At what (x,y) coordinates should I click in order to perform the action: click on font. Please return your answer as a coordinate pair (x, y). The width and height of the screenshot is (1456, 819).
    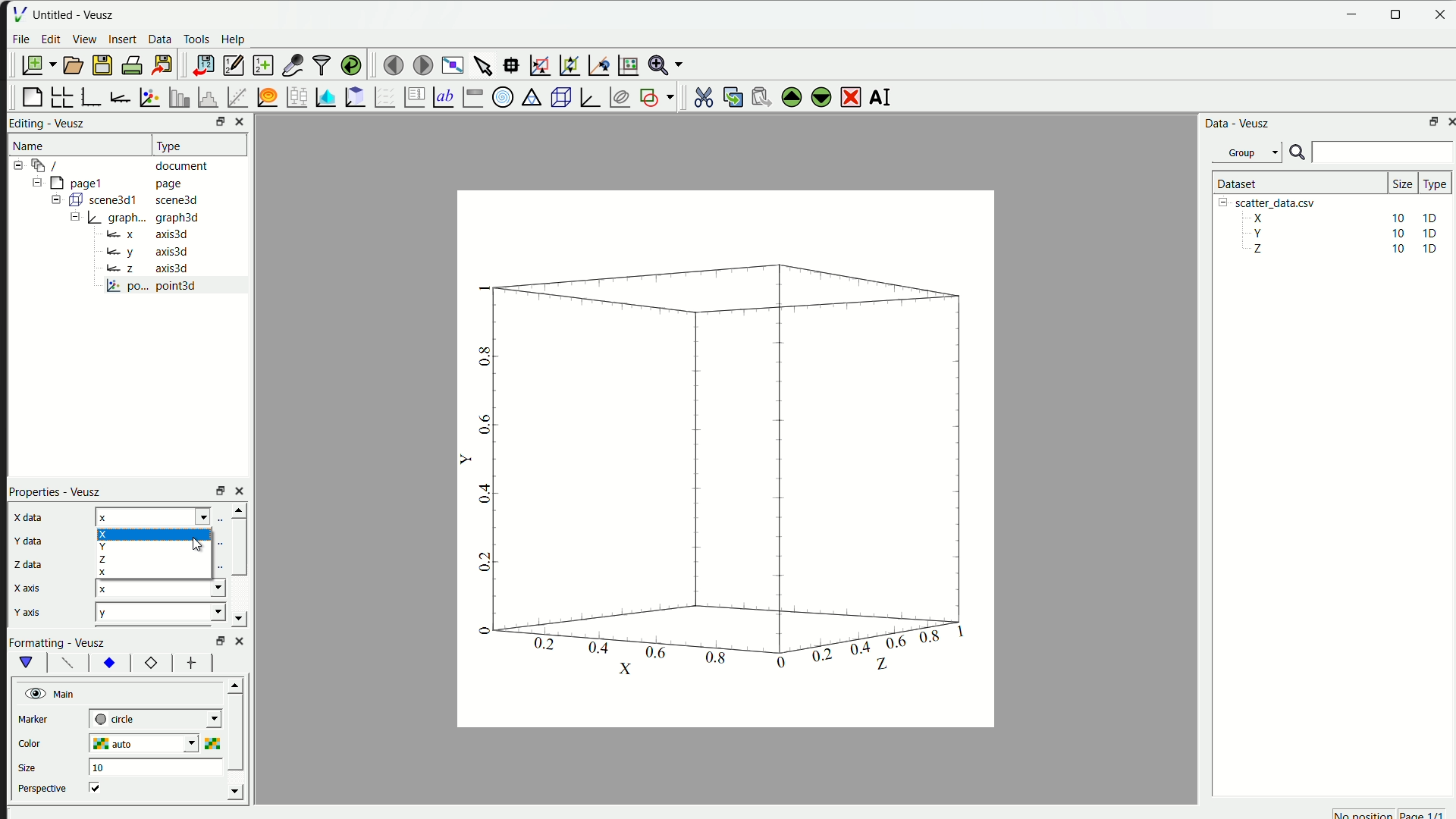
    Looking at the image, I should click on (191, 663).